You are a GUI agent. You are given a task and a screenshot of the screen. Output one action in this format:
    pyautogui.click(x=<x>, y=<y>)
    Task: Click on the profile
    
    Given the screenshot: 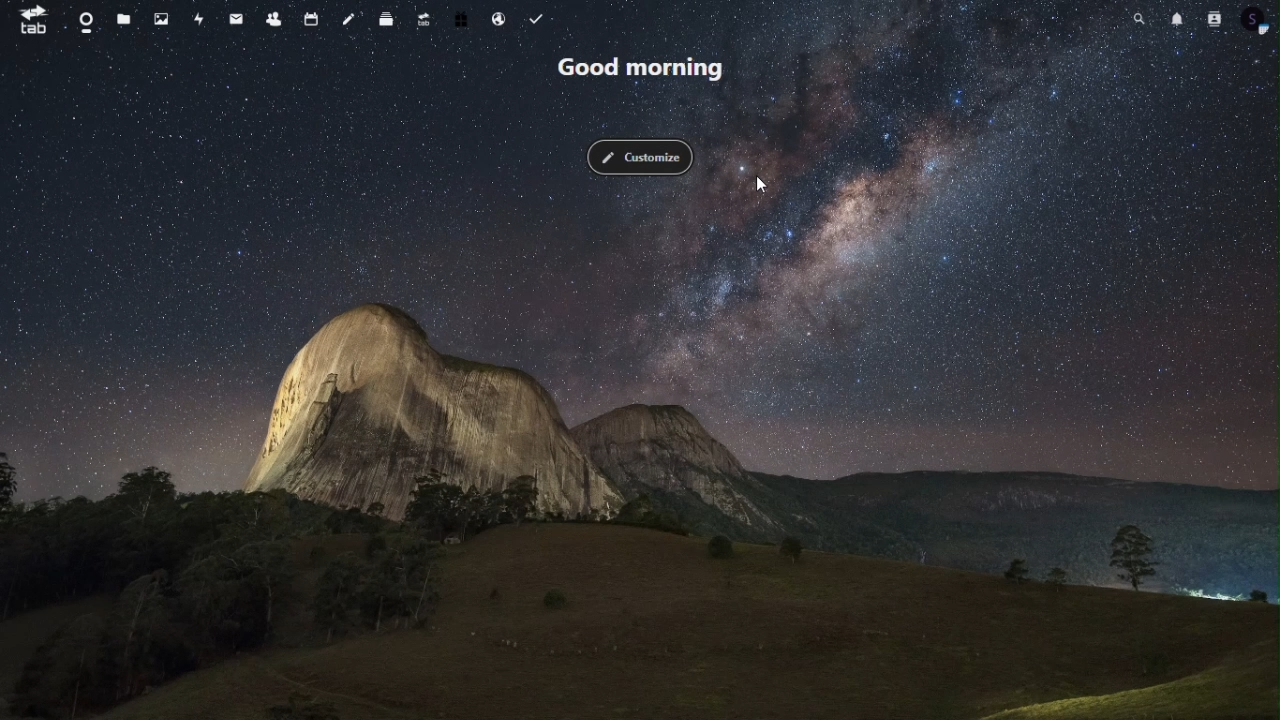 What is the action you would take?
    pyautogui.click(x=1256, y=23)
    